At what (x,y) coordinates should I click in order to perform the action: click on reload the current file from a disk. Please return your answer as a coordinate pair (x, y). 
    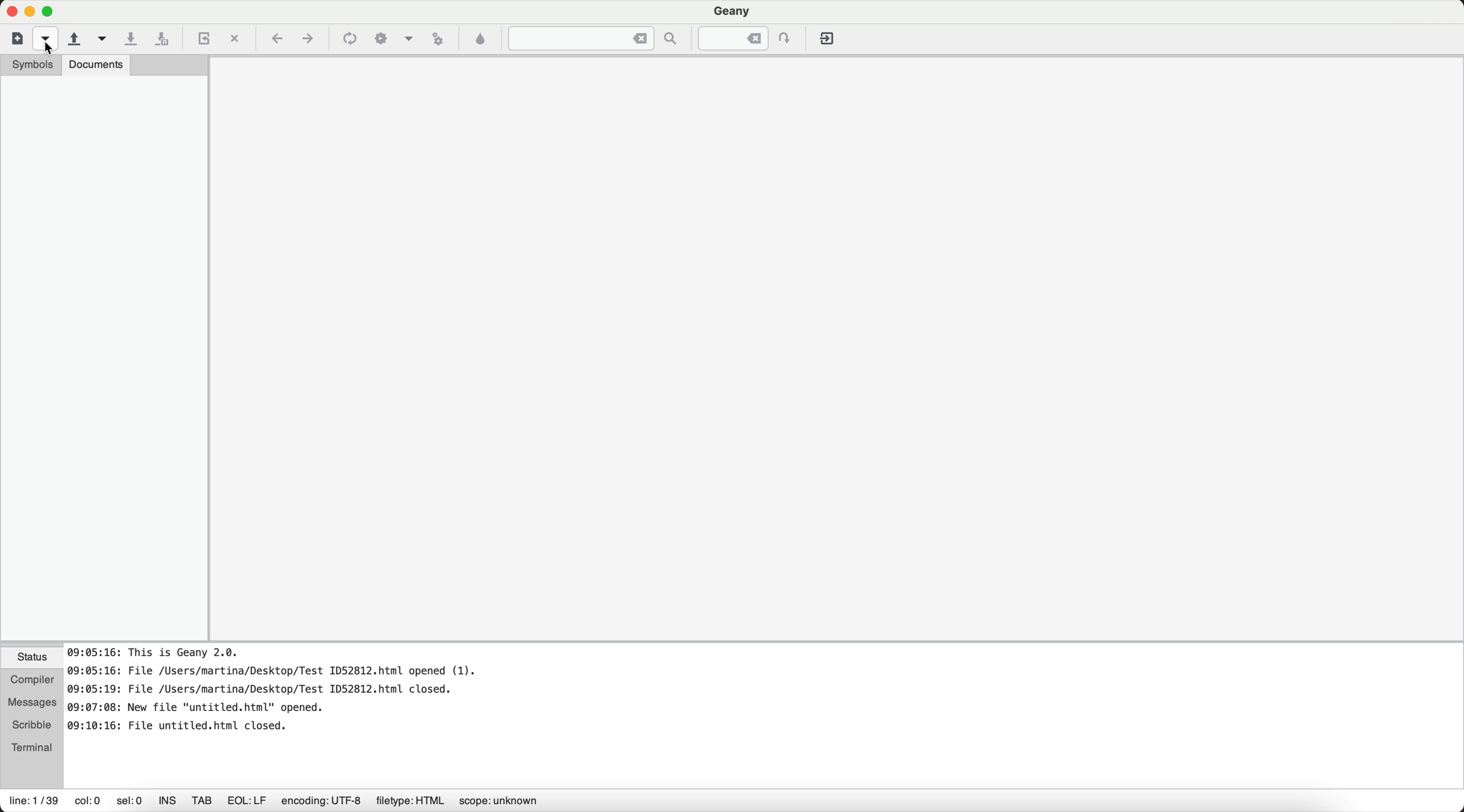
    Looking at the image, I should click on (203, 40).